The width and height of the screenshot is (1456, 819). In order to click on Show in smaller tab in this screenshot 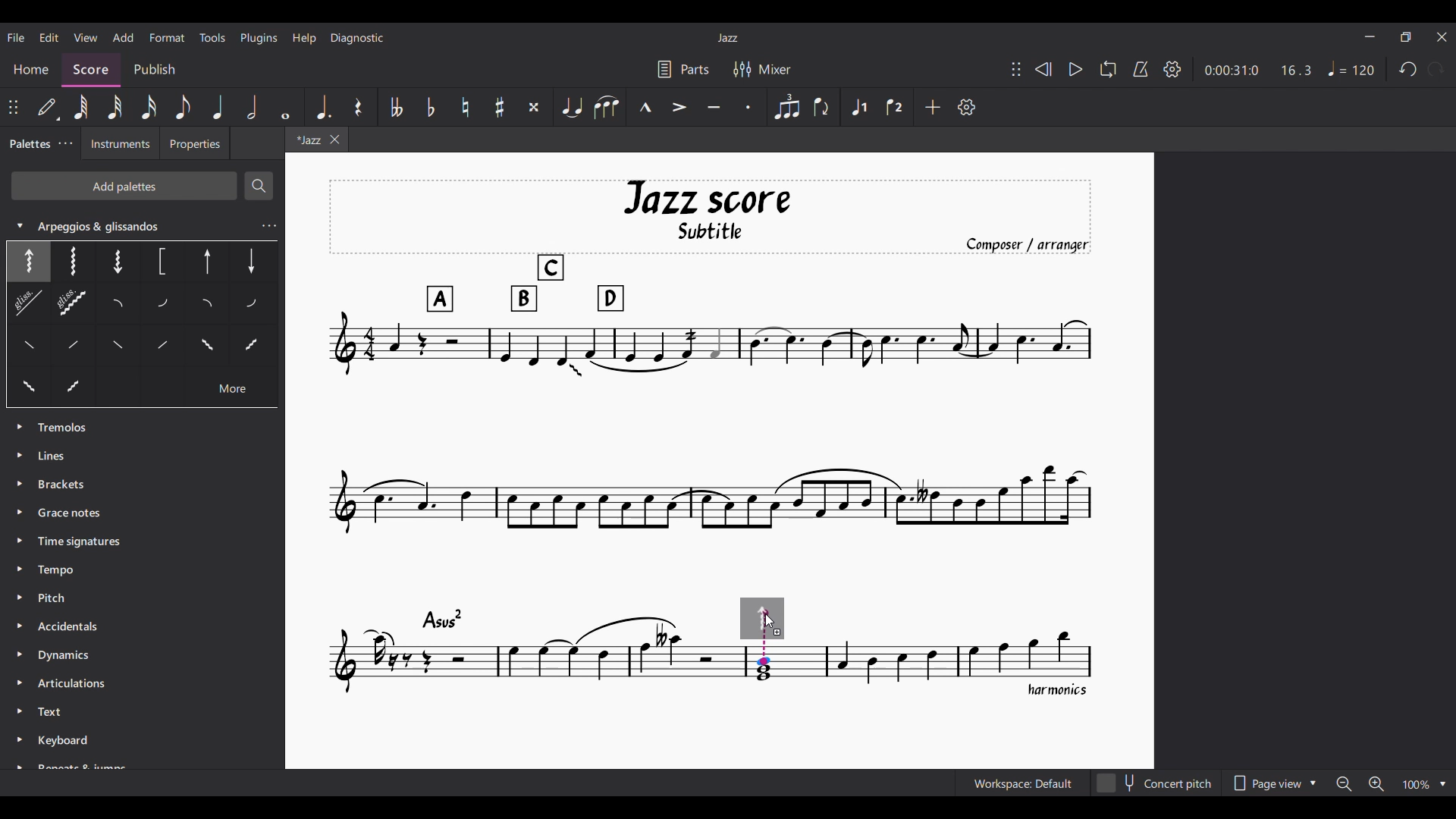, I will do `click(1405, 36)`.